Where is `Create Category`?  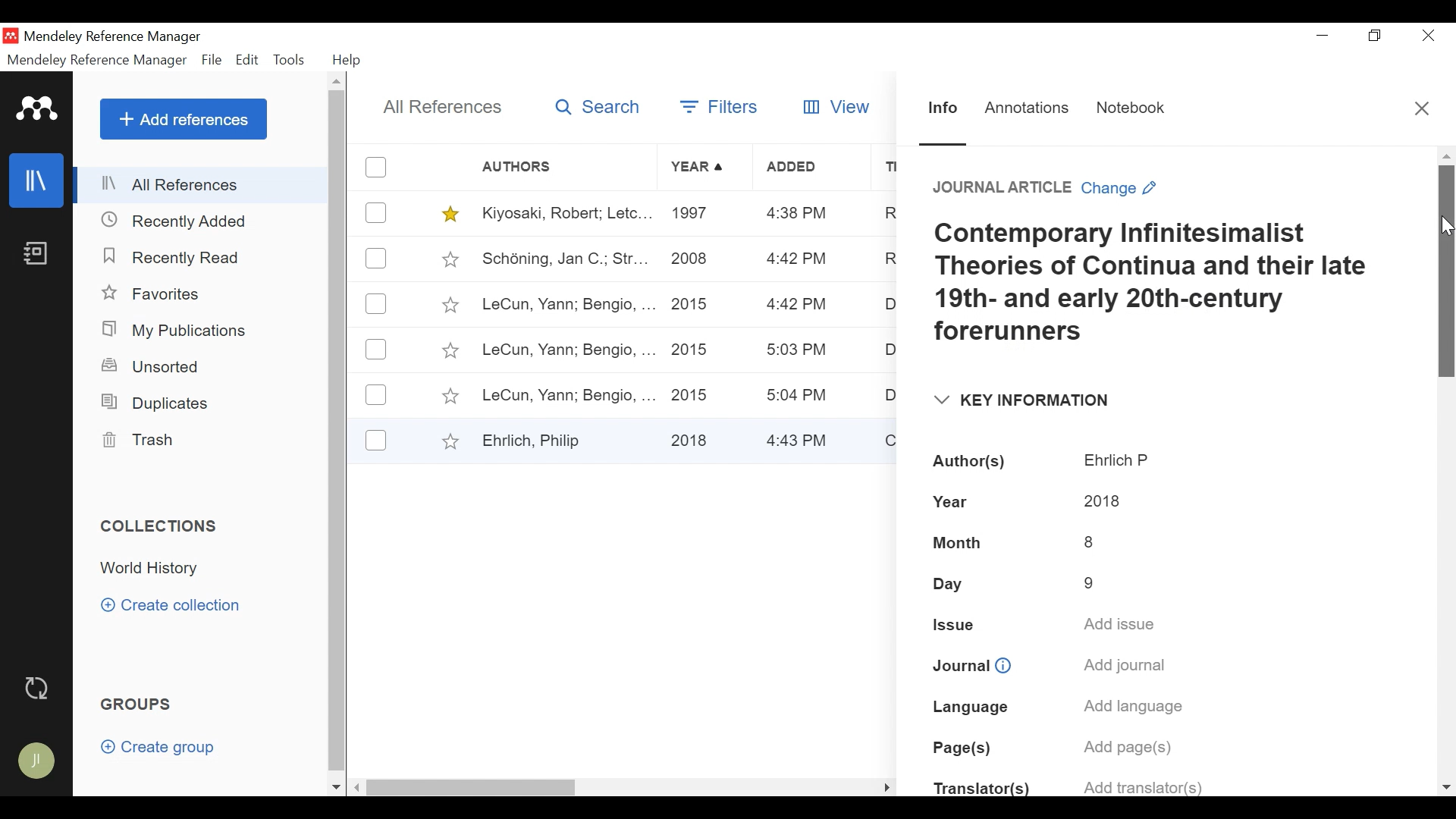 Create Category is located at coordinates (174, 606).